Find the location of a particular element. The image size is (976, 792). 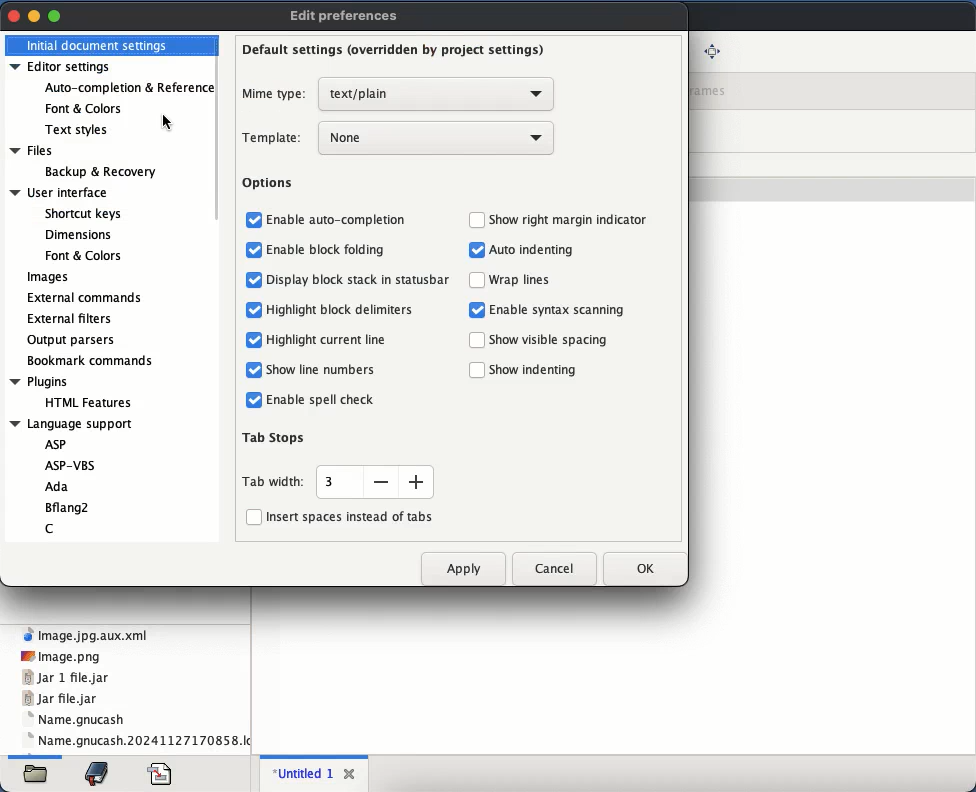

png is located at coordinates (59, 655).